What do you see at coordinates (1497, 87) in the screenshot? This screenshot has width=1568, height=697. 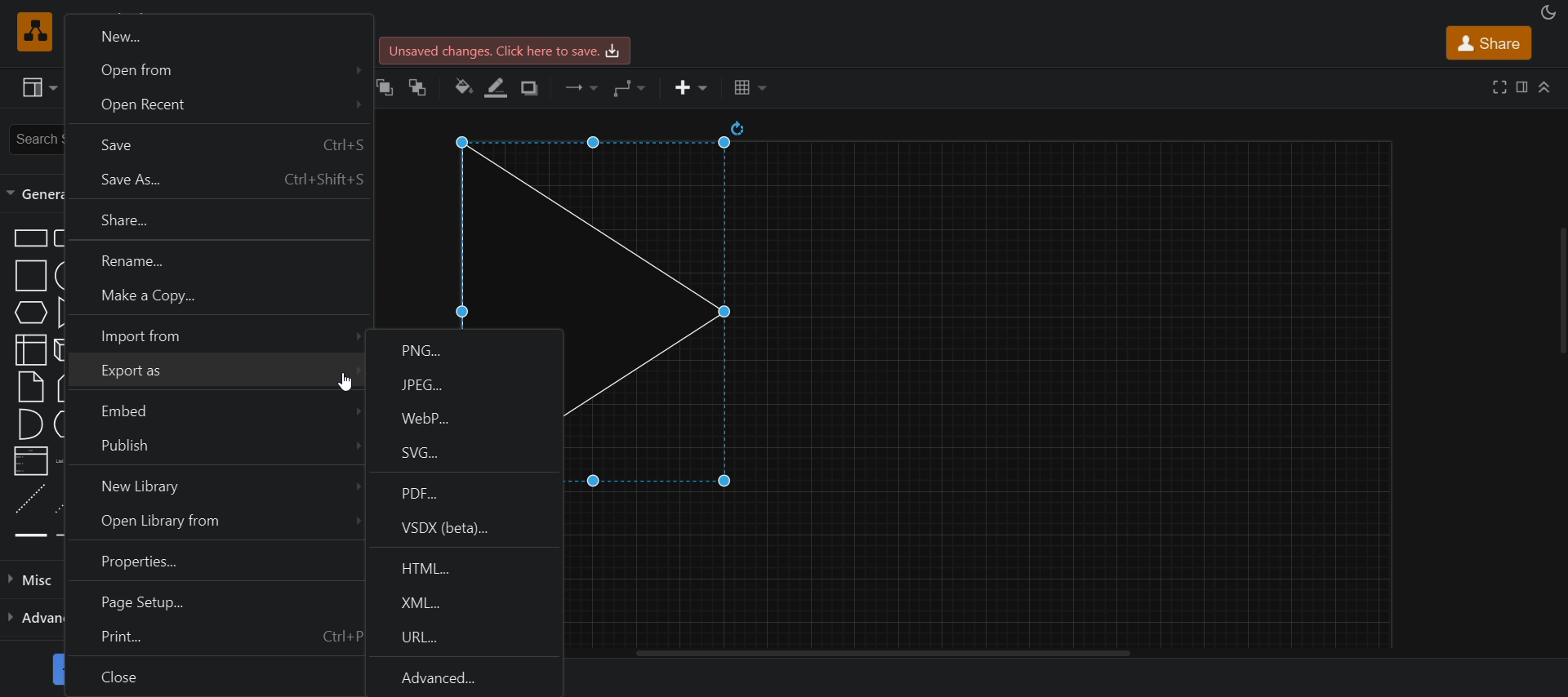 I see `full screen` at bounding box center [1497, 87].